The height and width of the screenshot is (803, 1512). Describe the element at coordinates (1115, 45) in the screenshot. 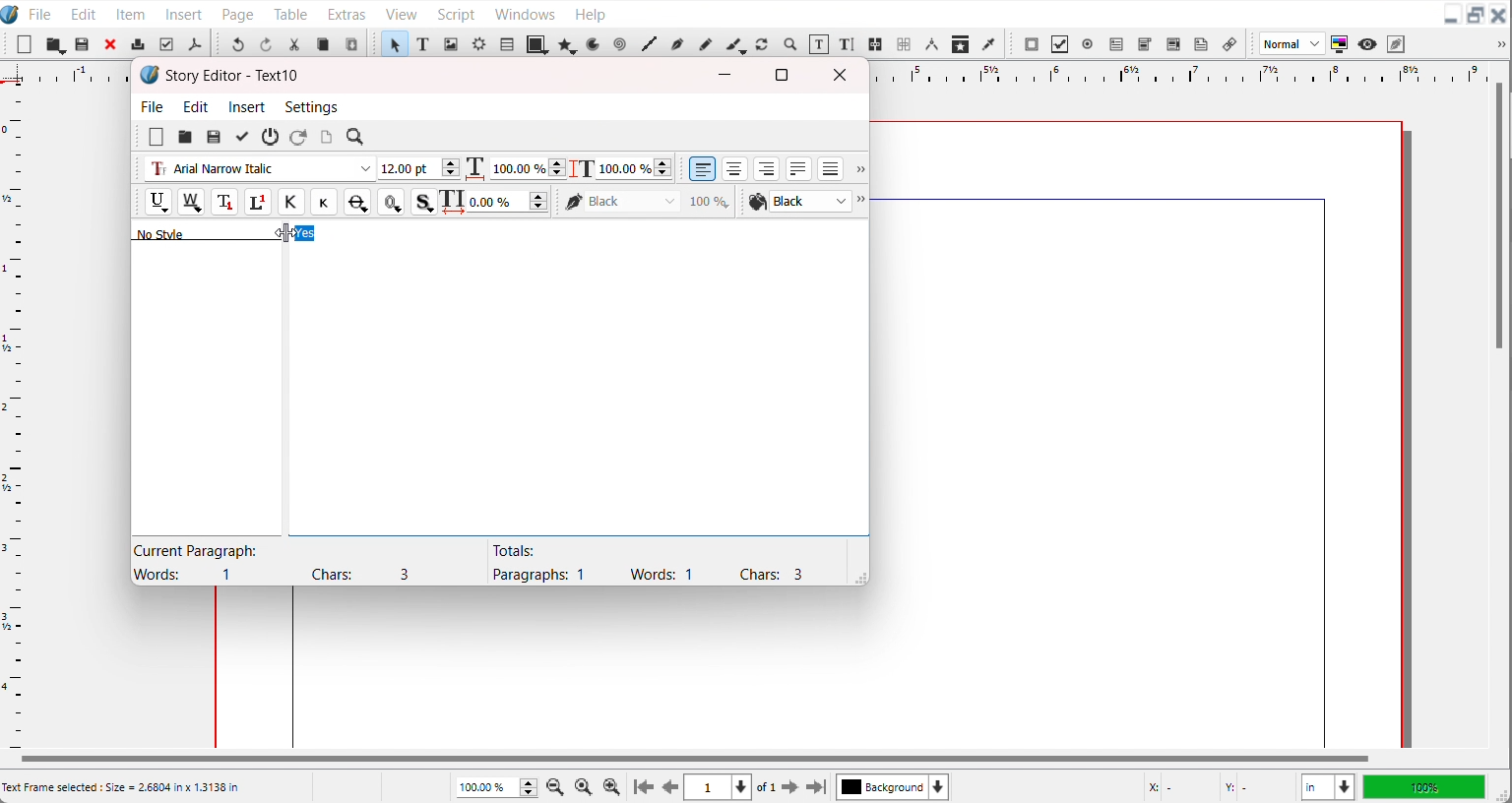

I see `PDF text field` at that location.